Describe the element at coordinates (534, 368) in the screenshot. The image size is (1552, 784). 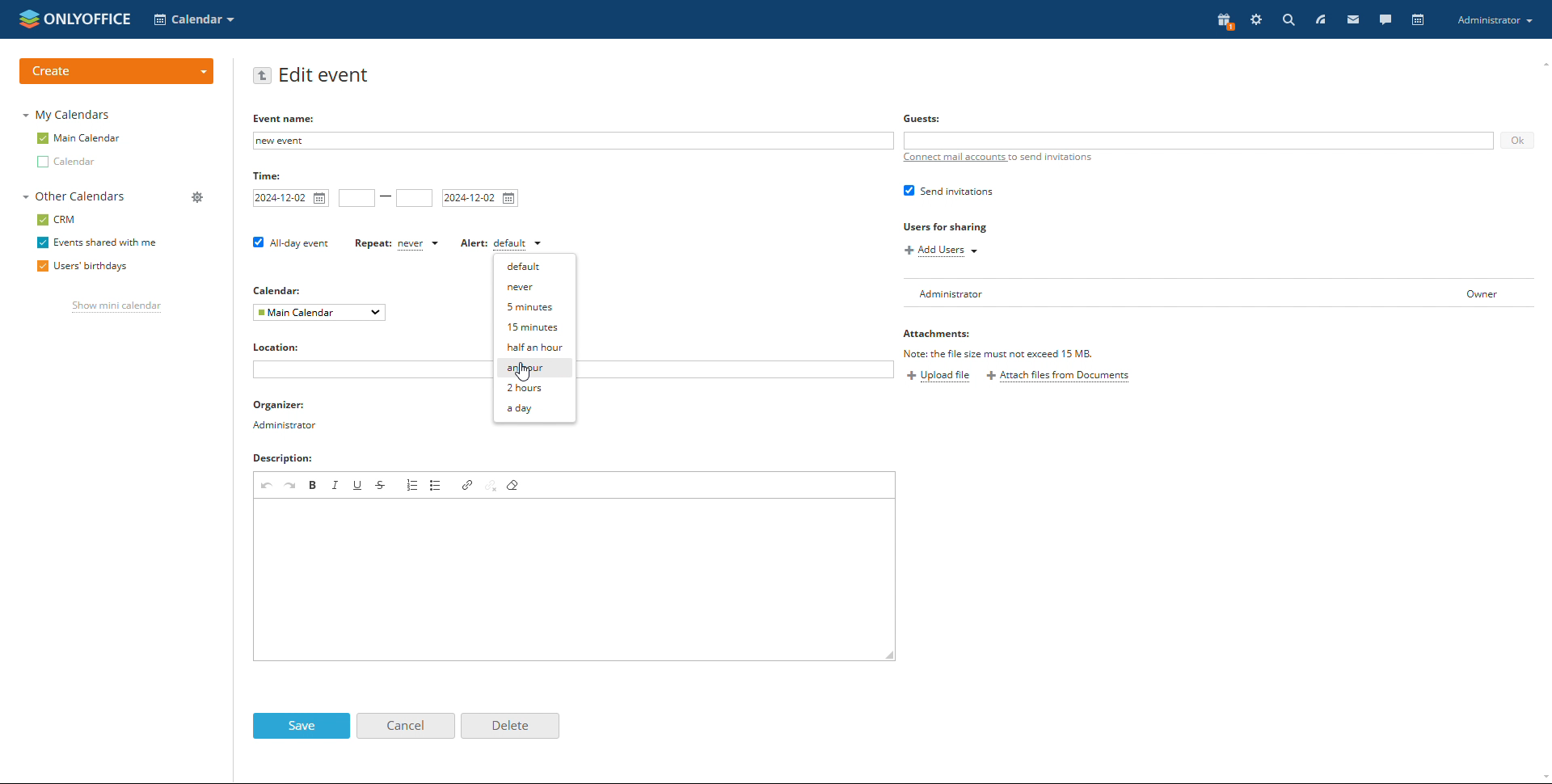
I see `an hour` at that location.